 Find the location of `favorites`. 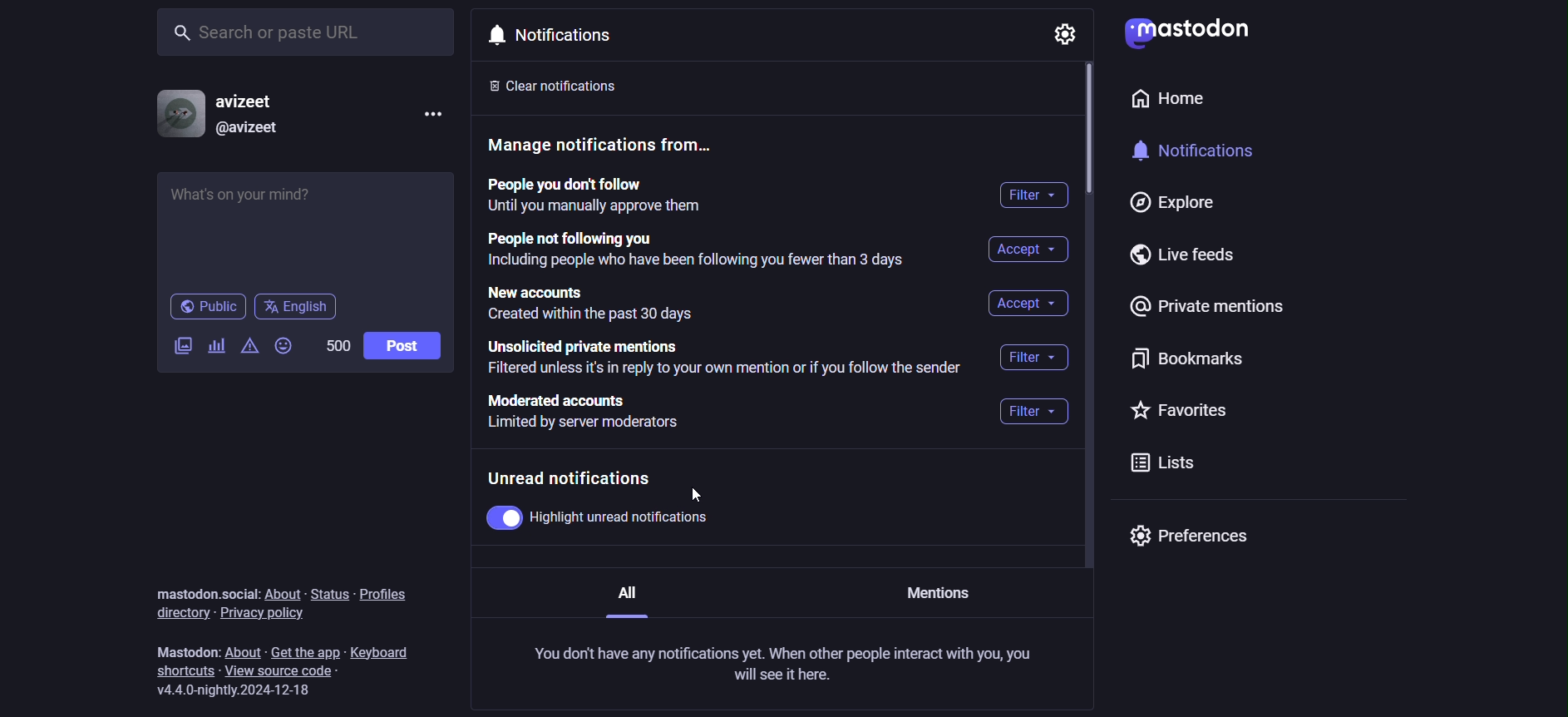

favorites is located at coordinates (1181, 414).